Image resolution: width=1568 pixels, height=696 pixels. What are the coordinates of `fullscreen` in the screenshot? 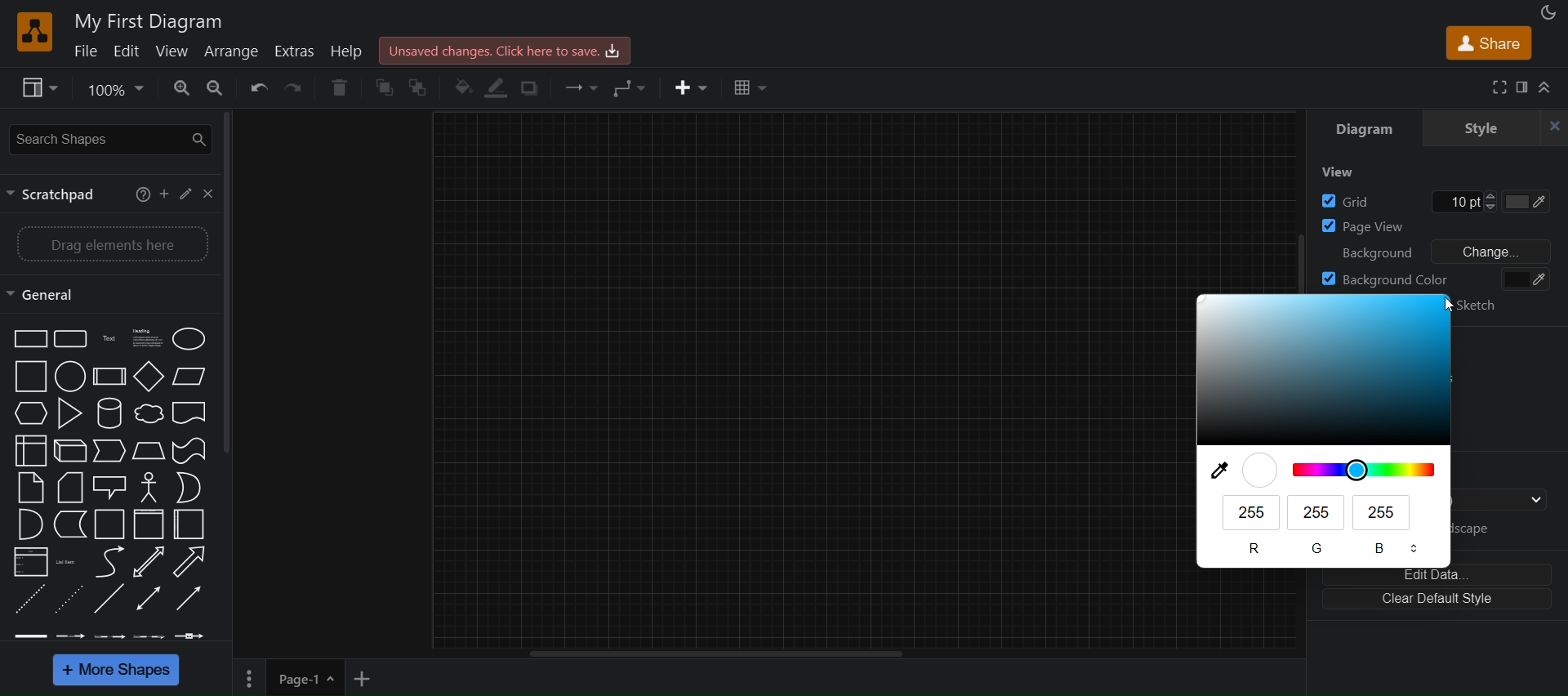 It's located at (1498, 87).